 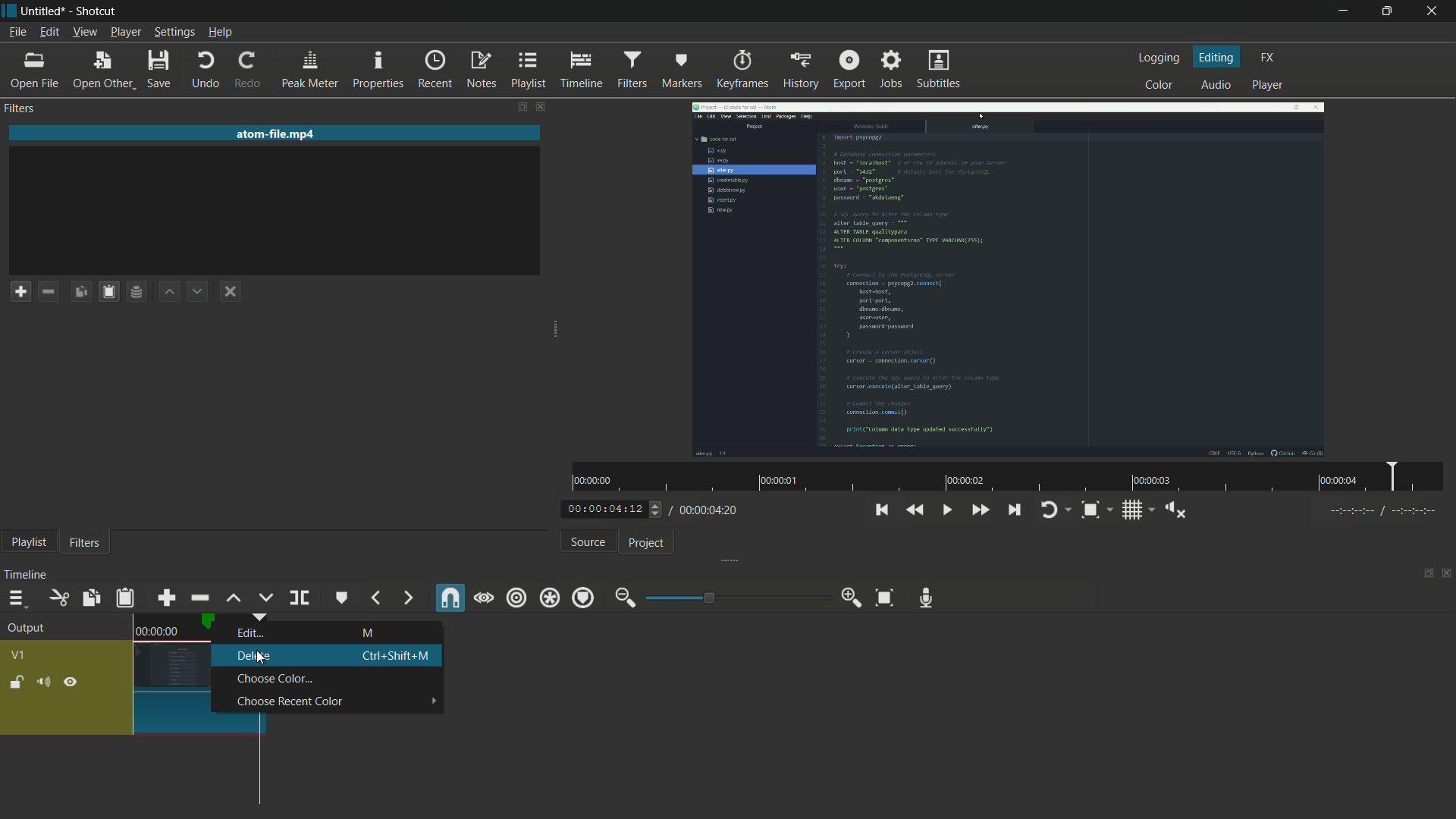 I want to click on color, so click(x=1161, y=86).